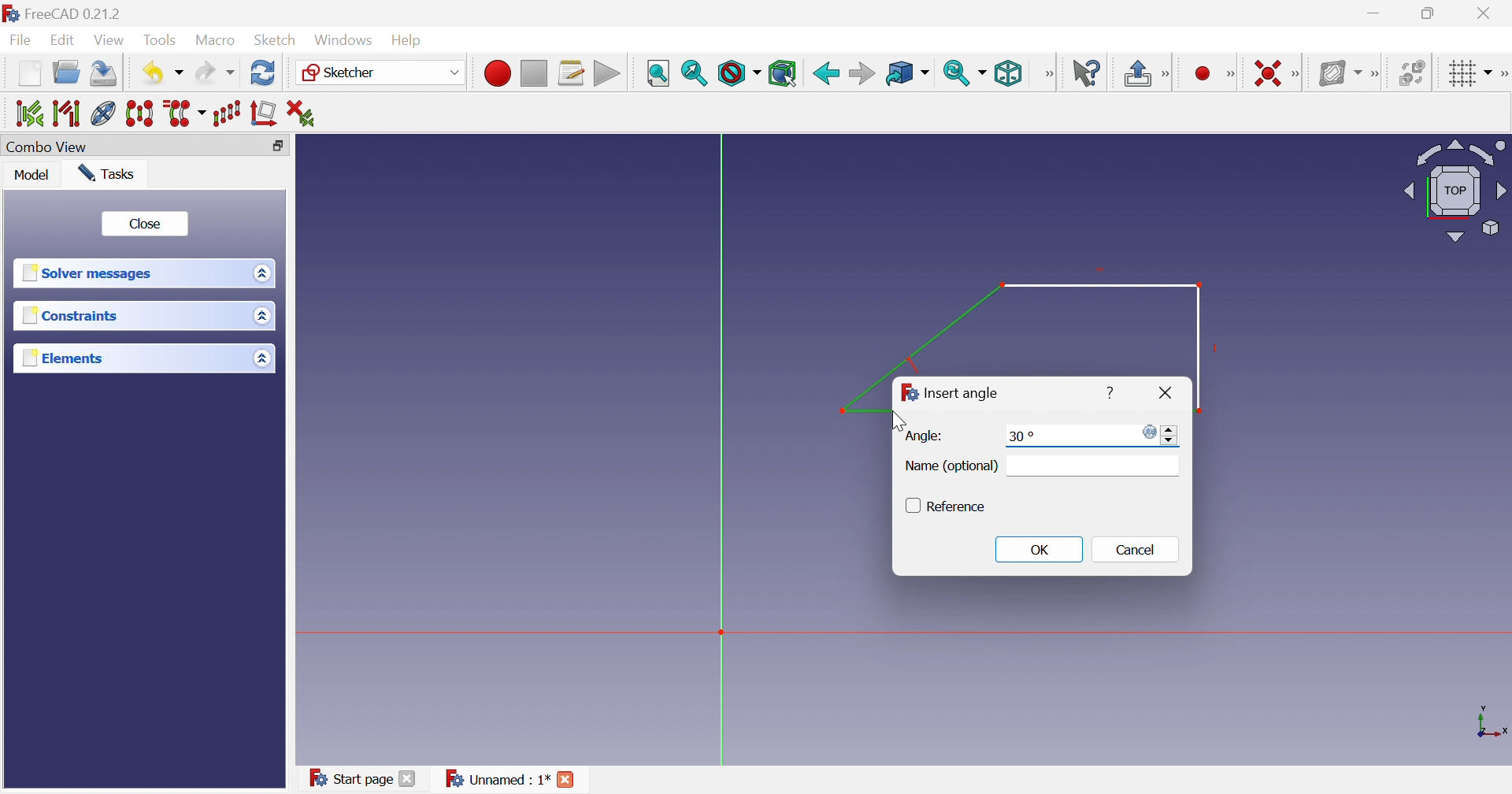 The width and height of the screenshot is (1512, 794). What do you see at coordinates (960, 507) in the screenshot?
I see `Reference` at bounding box center [960, 507].